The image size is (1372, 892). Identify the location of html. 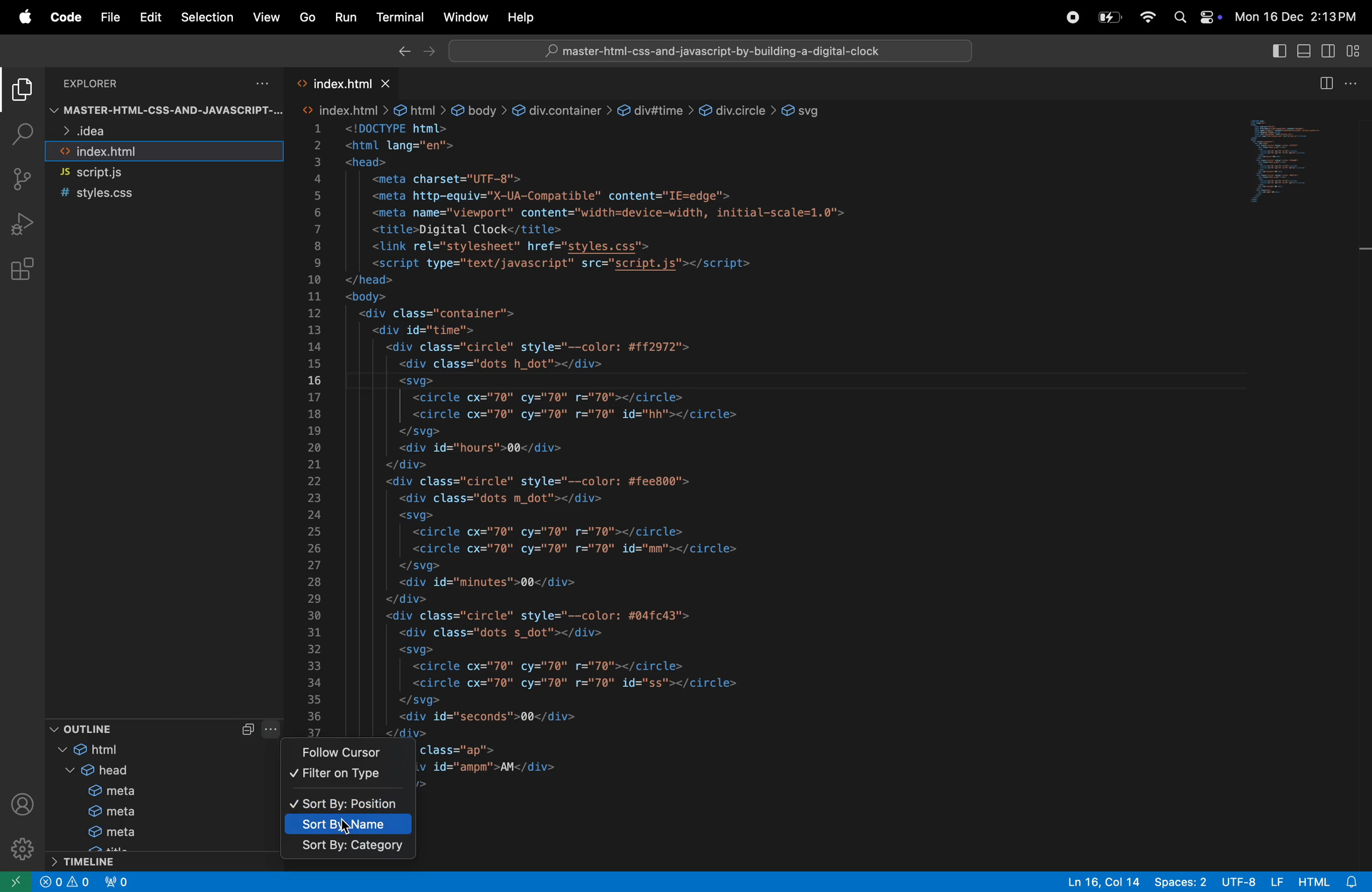
(420, 110).